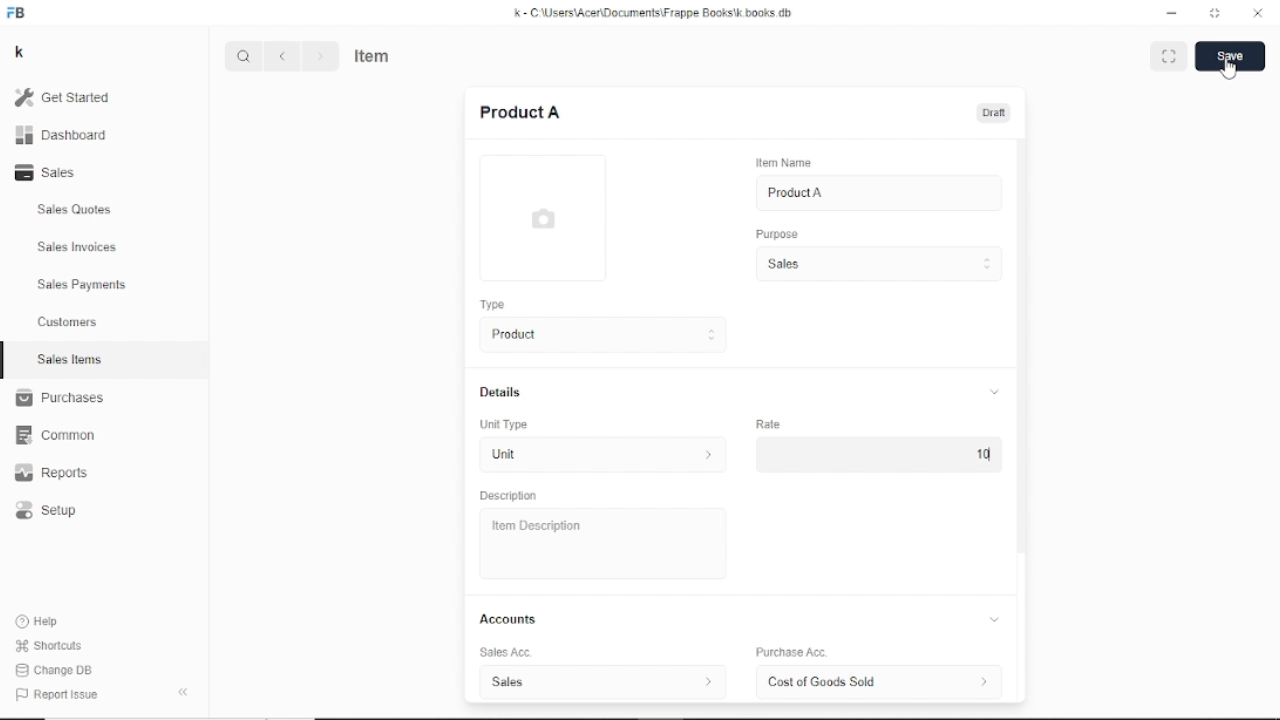  What do you see at coordinates (505, 425) in the screenshot?
I see `Unit Type` at bounding box center [505, 425].